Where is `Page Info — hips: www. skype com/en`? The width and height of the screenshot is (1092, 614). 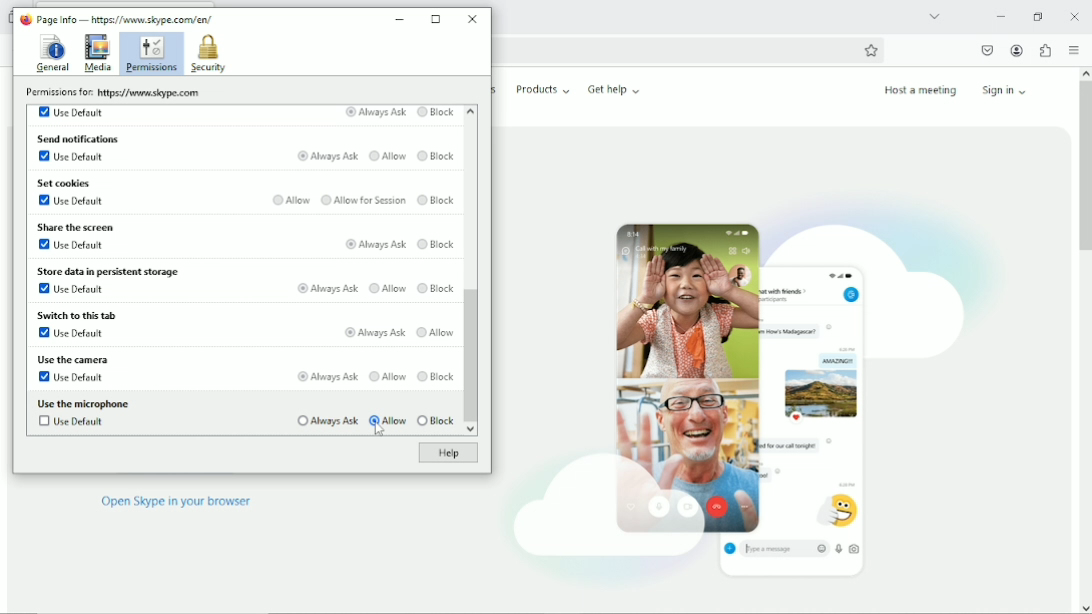 Page Info — hips: www. skype com/en is located at coordinates (122, 18).